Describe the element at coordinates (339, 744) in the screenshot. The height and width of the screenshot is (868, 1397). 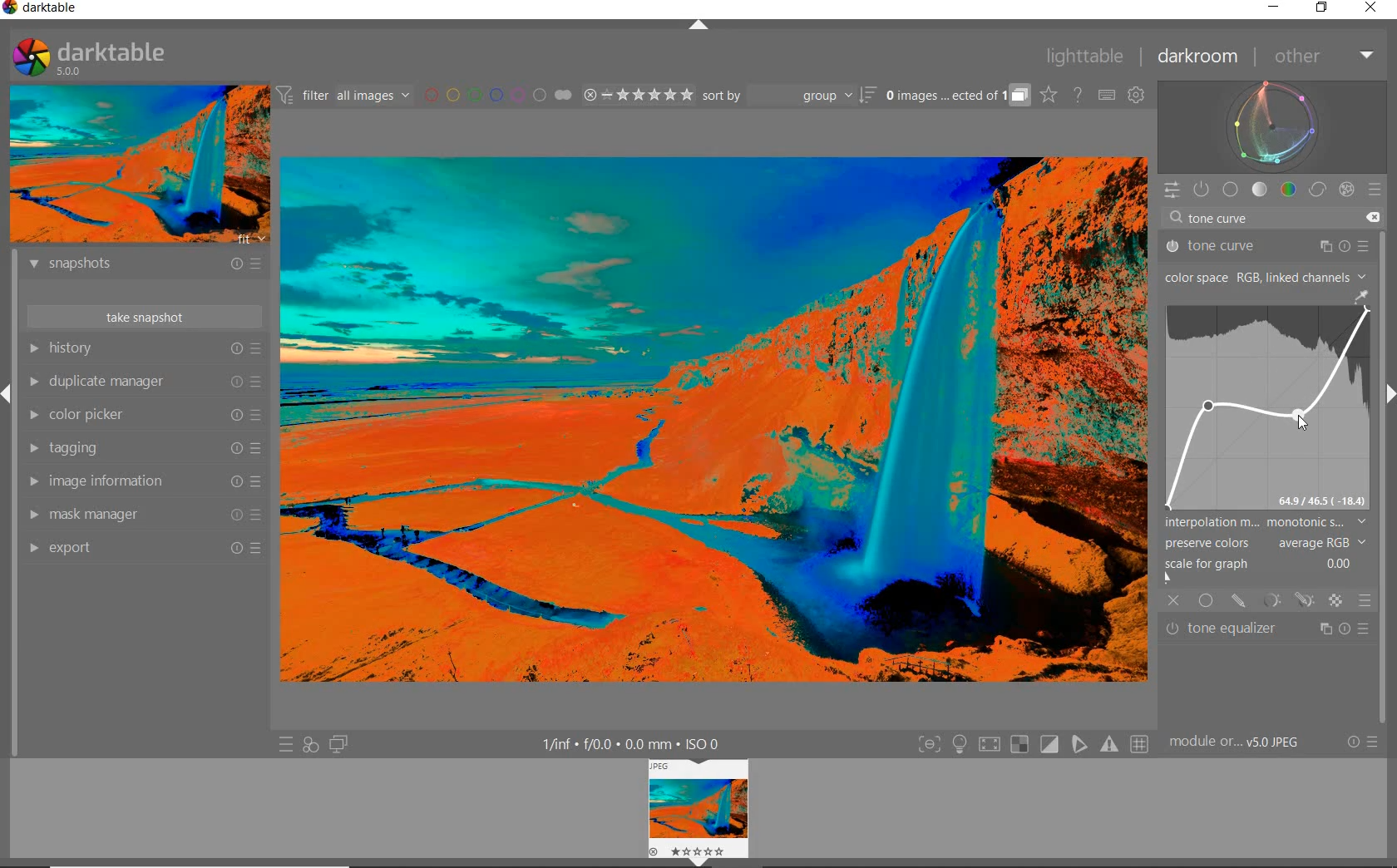
I see `DISPLAY A SECOND DARKROOM IMAGE WINDOW` at that location.